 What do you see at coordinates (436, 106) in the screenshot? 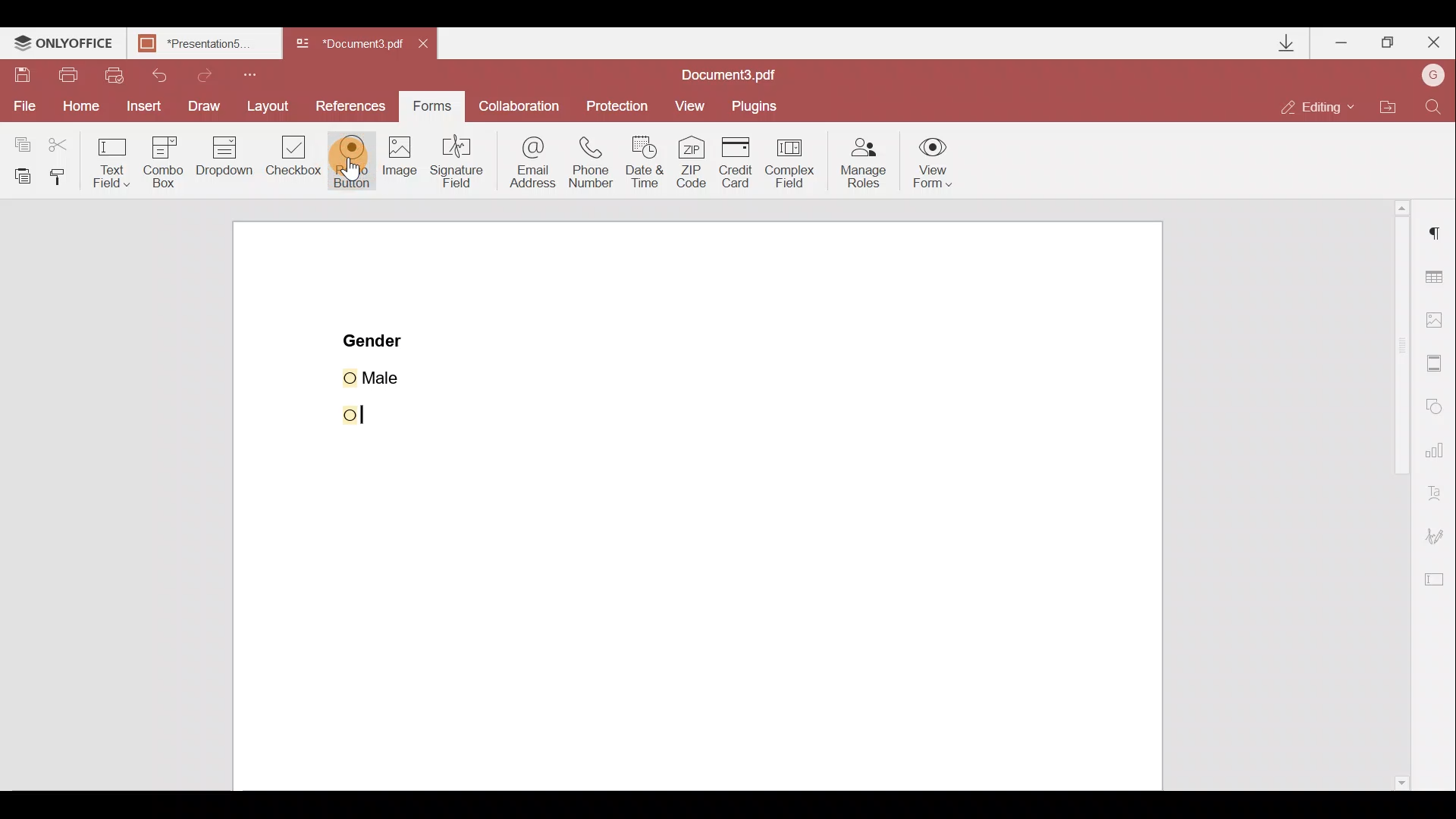
I see `Forms` at bounding box center [436, 106].